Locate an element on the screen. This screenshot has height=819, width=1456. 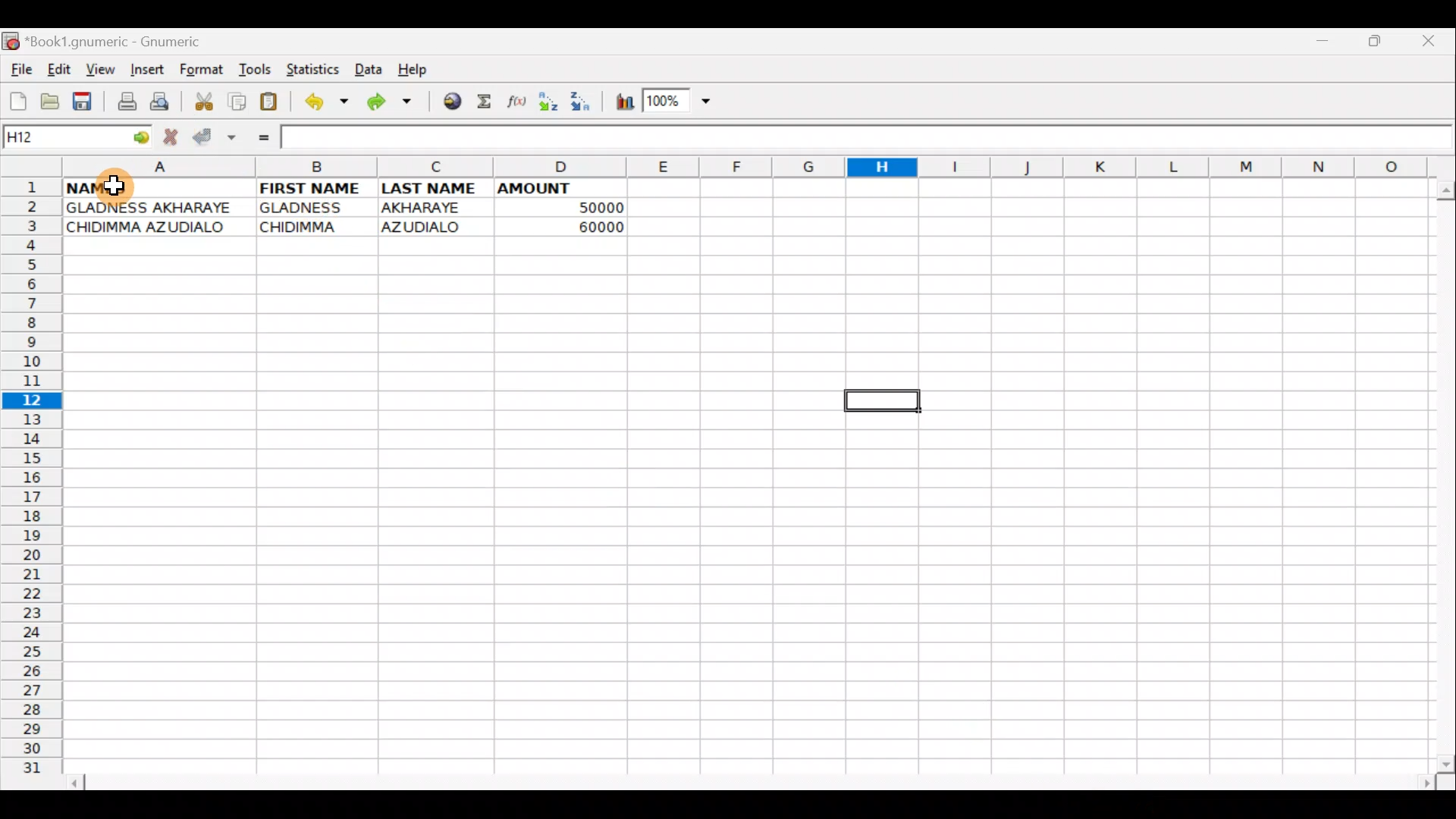
Cancel change is located at coordinates (168, 138).